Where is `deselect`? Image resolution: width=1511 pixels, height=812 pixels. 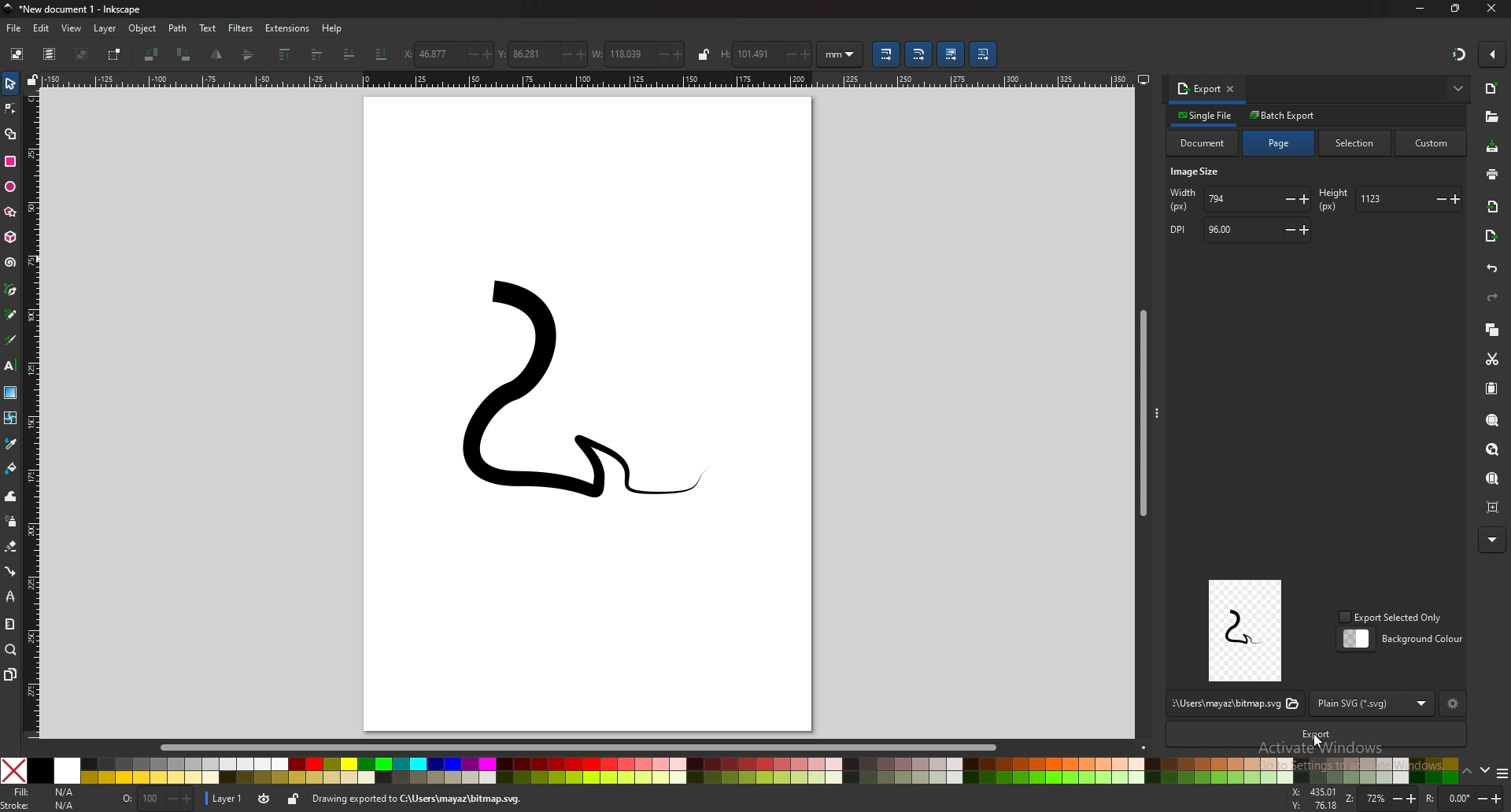
deselect is located at coordinates (83, 54).